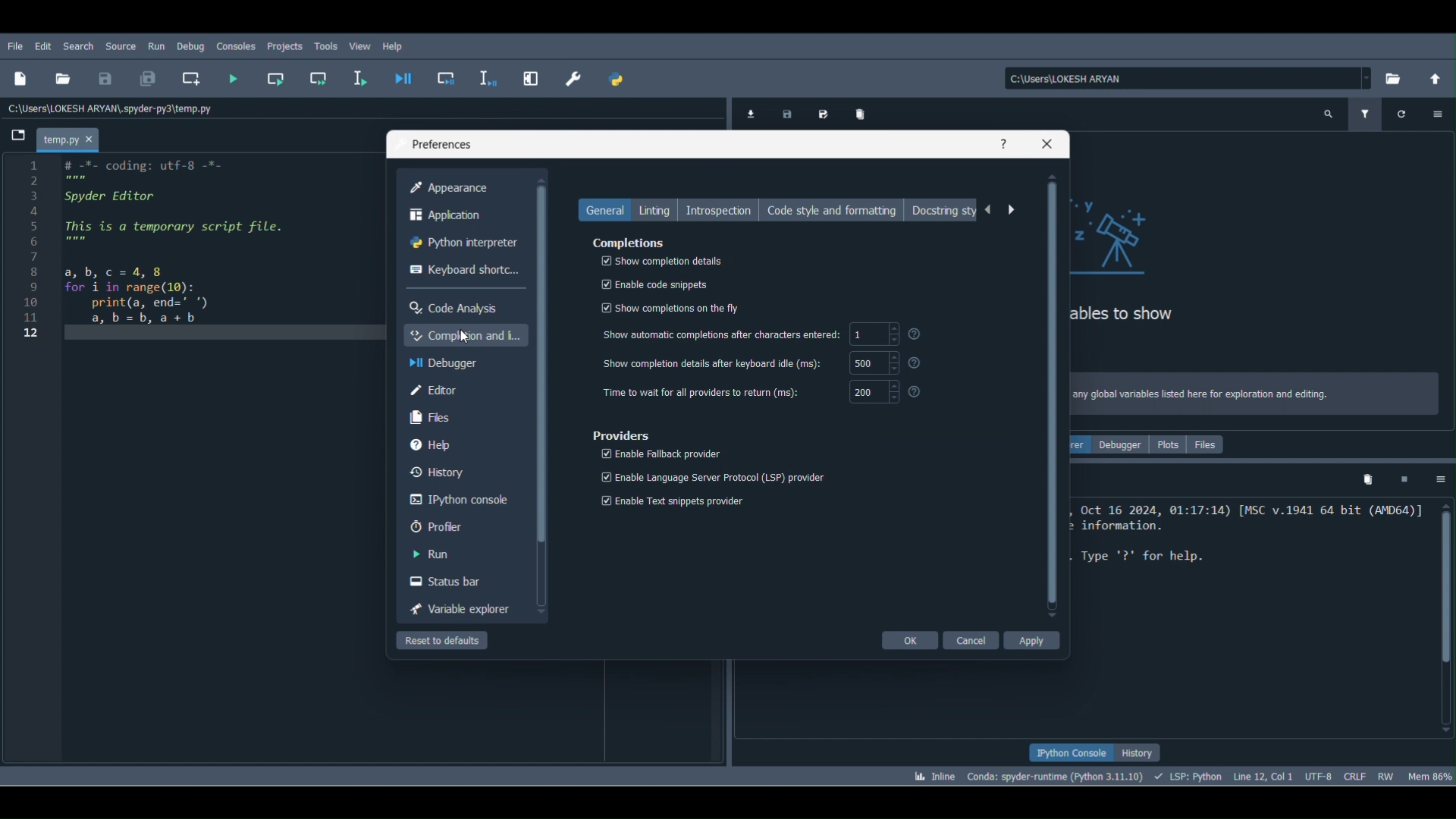 Image resolution: width=1456 pixels, height=819 pixels. I want to click on Help, so click(1006, 141).